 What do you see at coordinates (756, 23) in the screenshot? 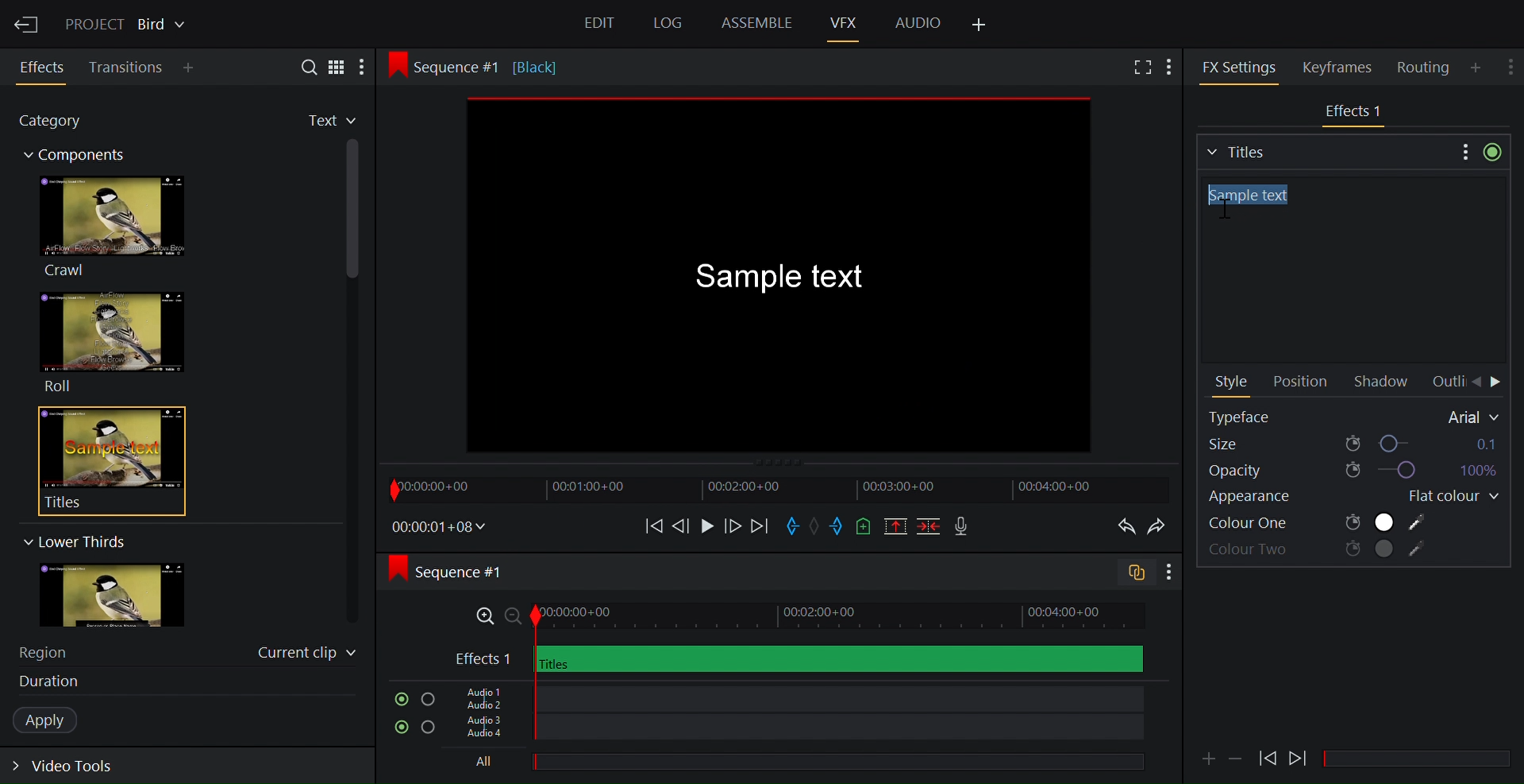
I see `Assemble` at bounding box center [756, 23].